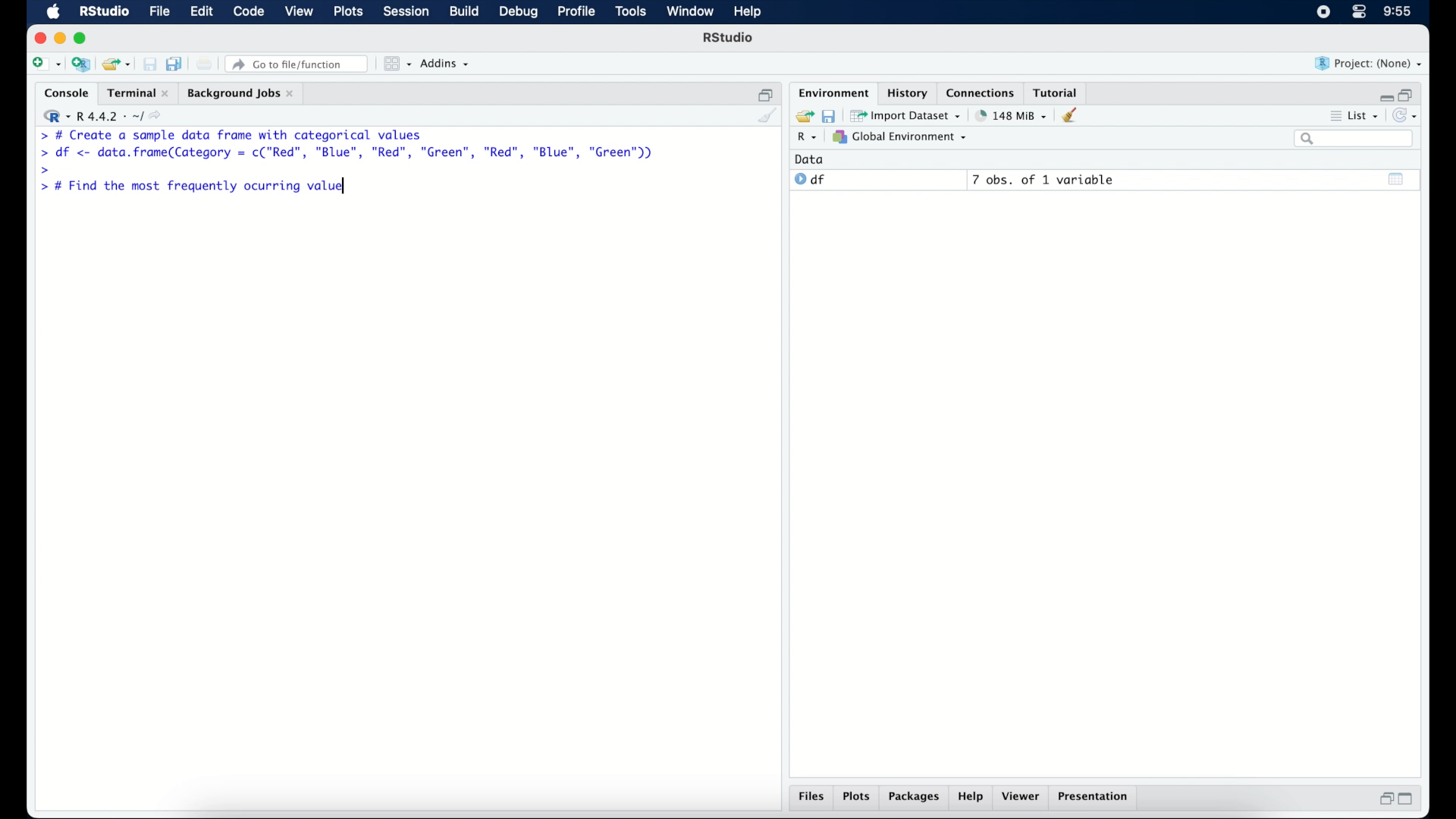  What do you see at coordinates (249, 12) in the screenshot?
I see `code` at bounding box center [249, 12].